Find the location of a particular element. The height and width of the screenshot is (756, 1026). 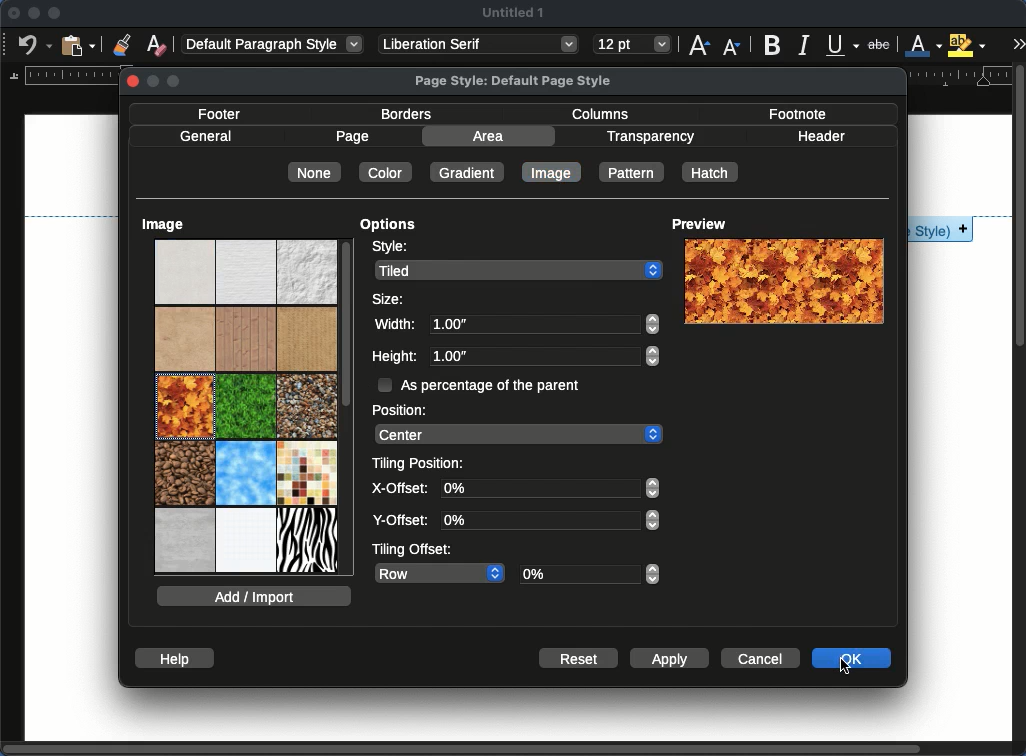

0% is located at coordinates (551, 521).